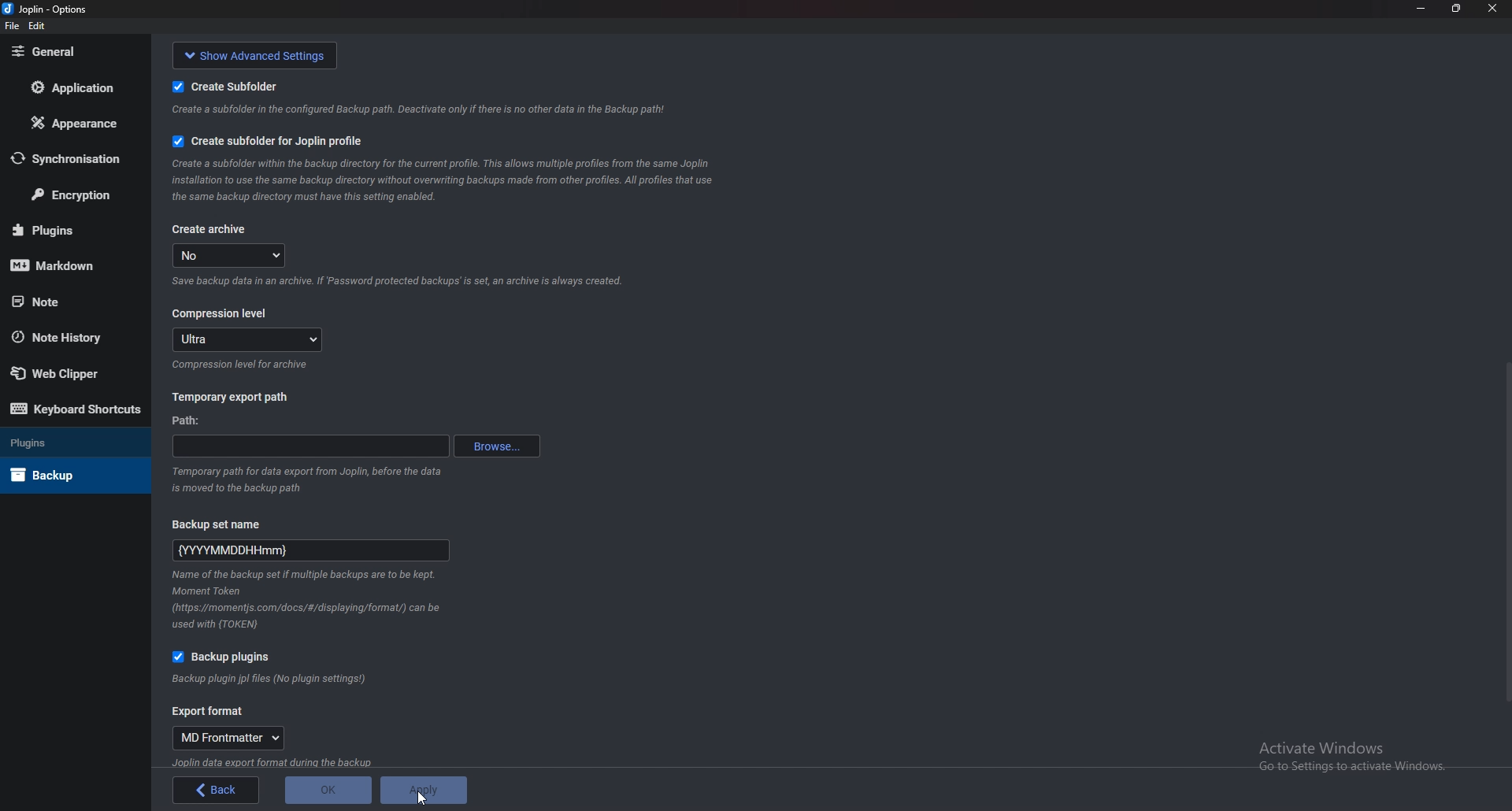 This screenshot has height=811, width=1512. I want to click on Apply, so click(424, 790).